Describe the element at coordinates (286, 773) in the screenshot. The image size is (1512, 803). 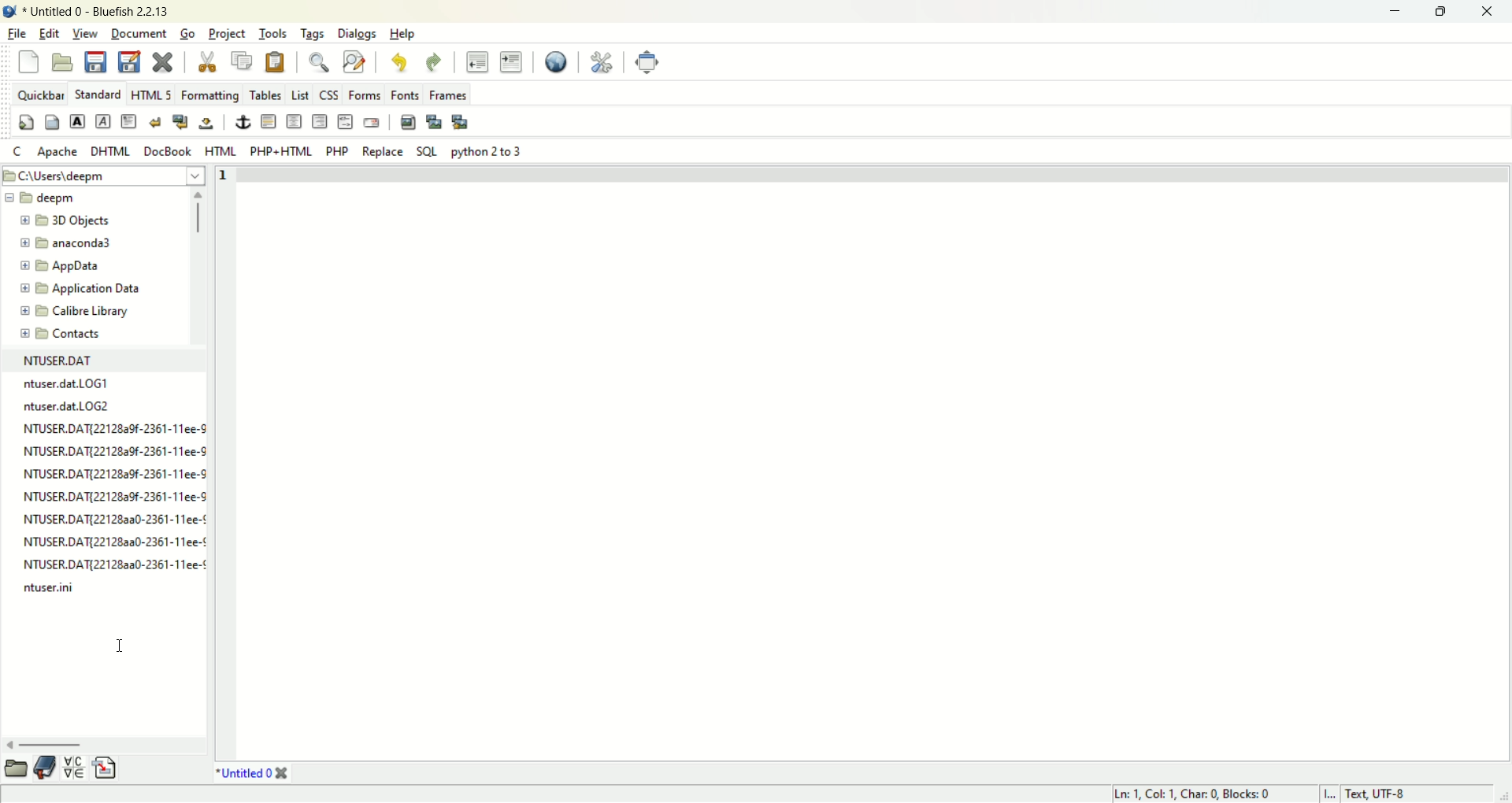
I see `close` at that location.